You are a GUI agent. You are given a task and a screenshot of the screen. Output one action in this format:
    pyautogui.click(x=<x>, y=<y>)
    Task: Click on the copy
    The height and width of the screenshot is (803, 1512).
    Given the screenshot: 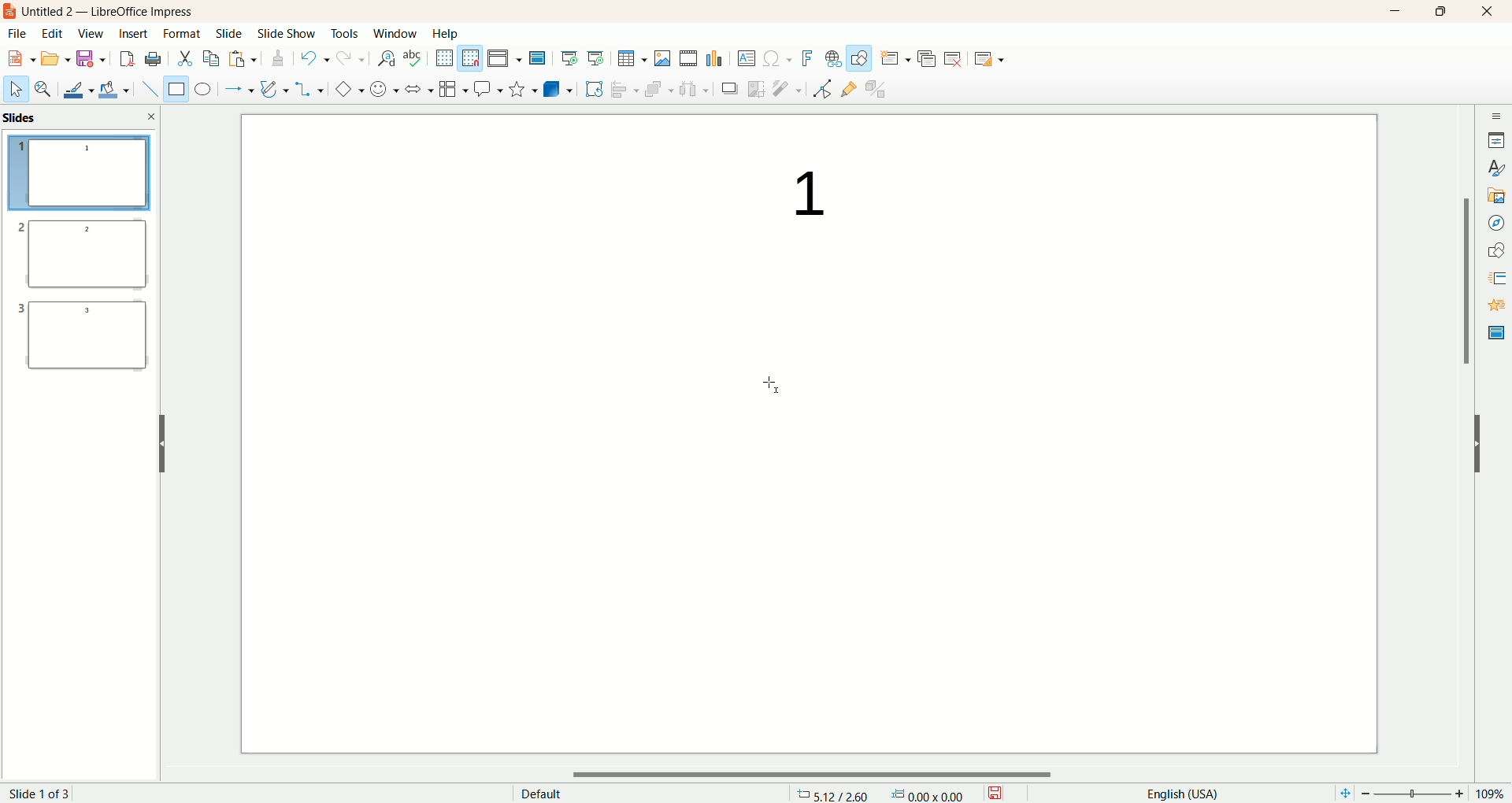 What is the action you would take?
    pyautogui.click(x=211, y=57)
    